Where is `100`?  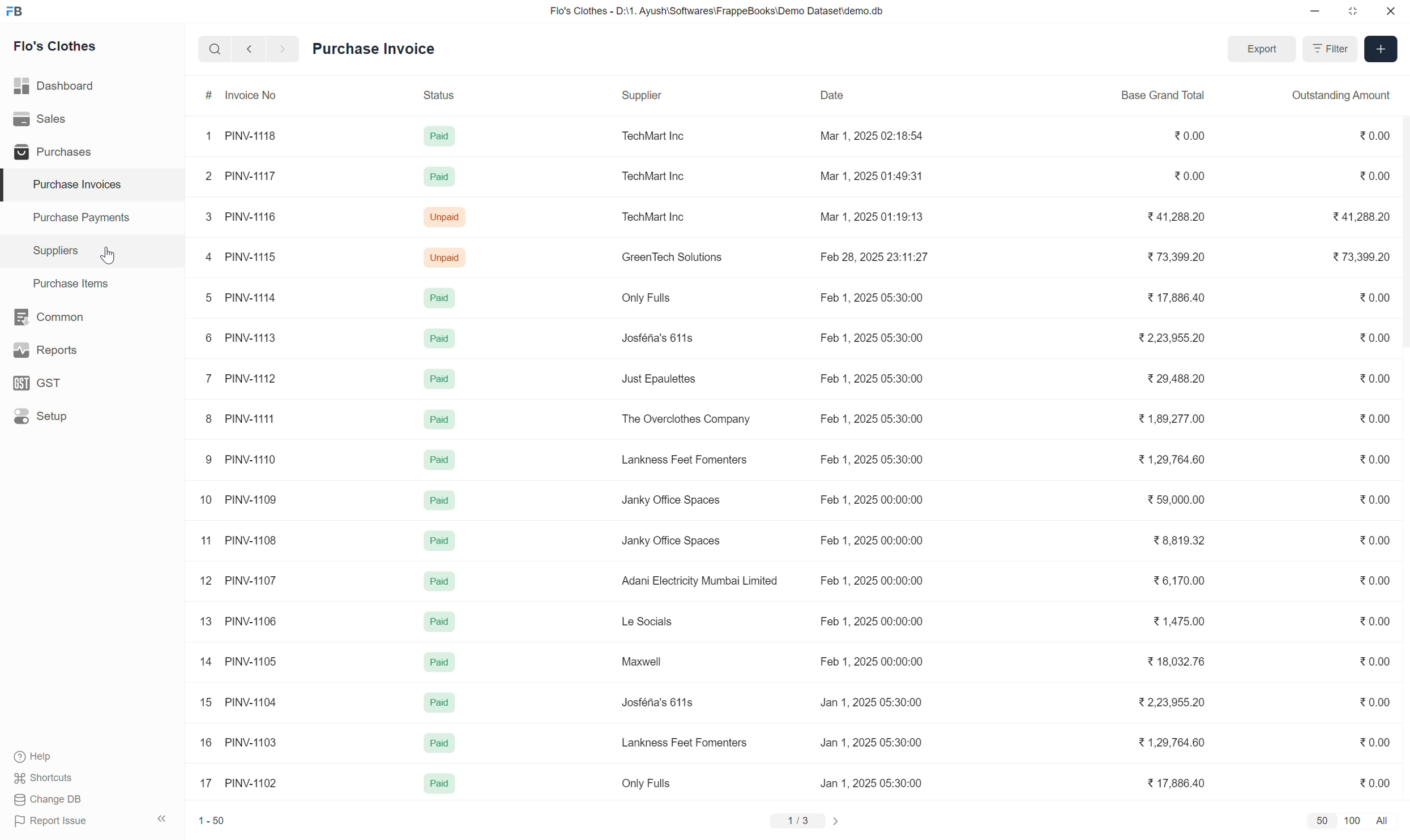
100 is located at coordinates (1354, 821).